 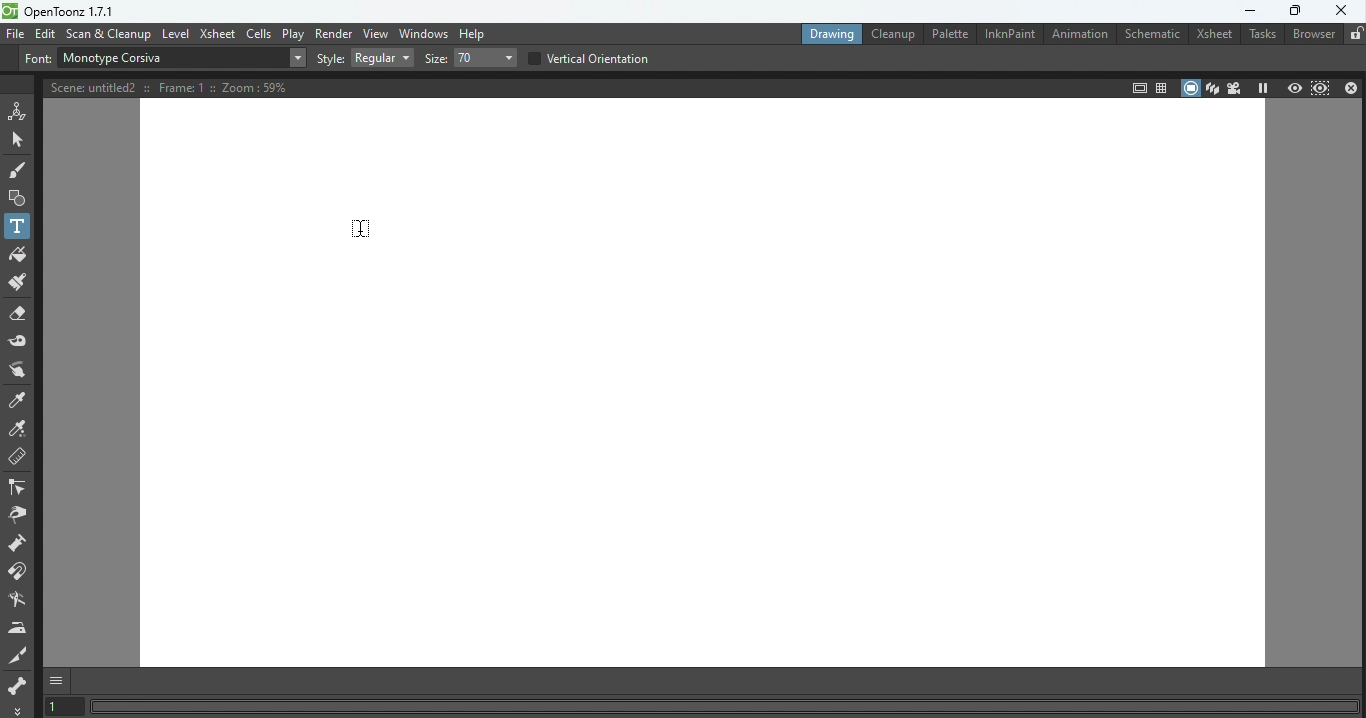 What do you see at coordinates (18, 142) in the screenshot?
I see `Selection tool` at bounding box center [18, 142].